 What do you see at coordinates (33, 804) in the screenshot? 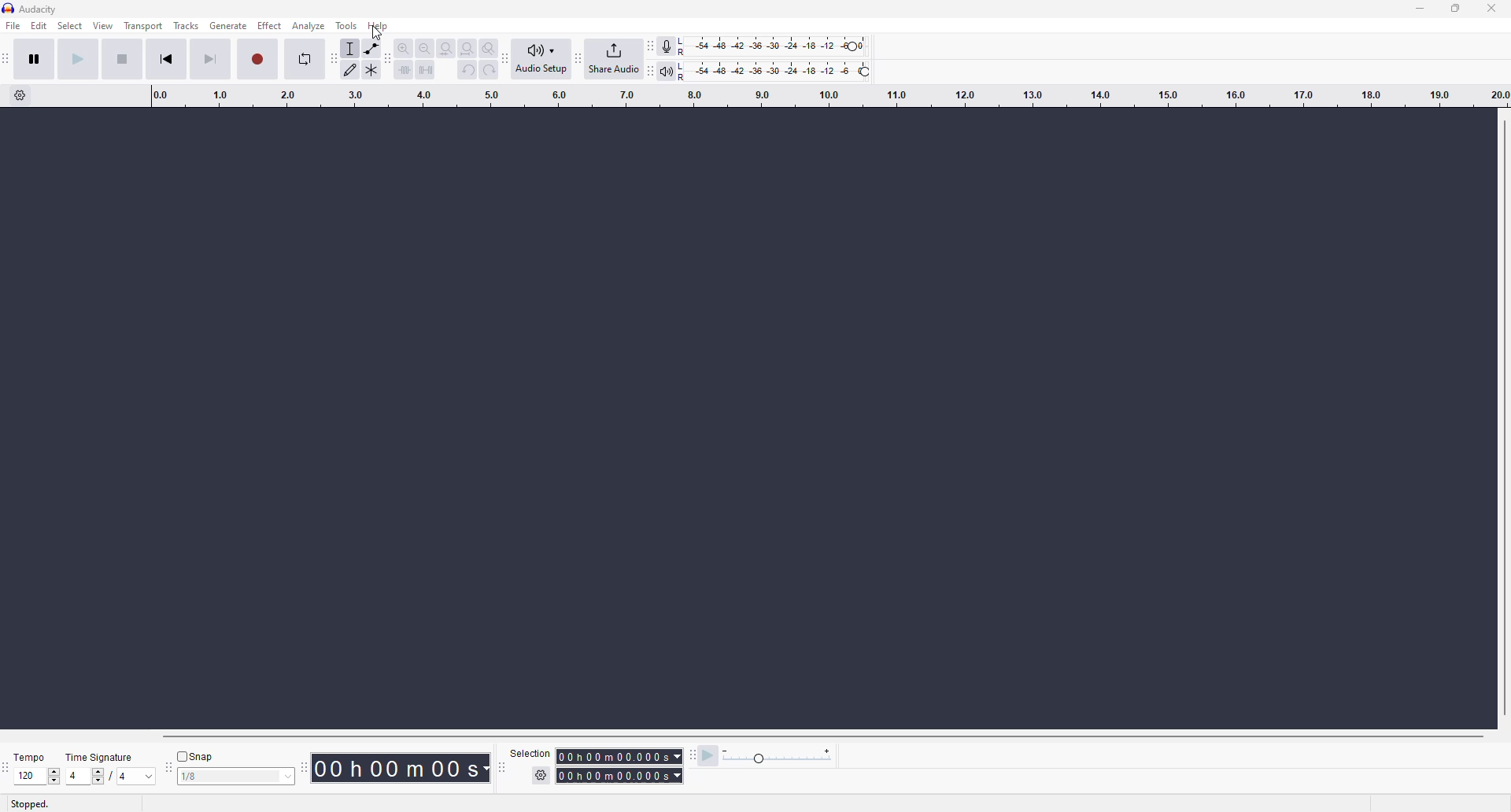
I see `stopped` at bounding box center [33, 804].